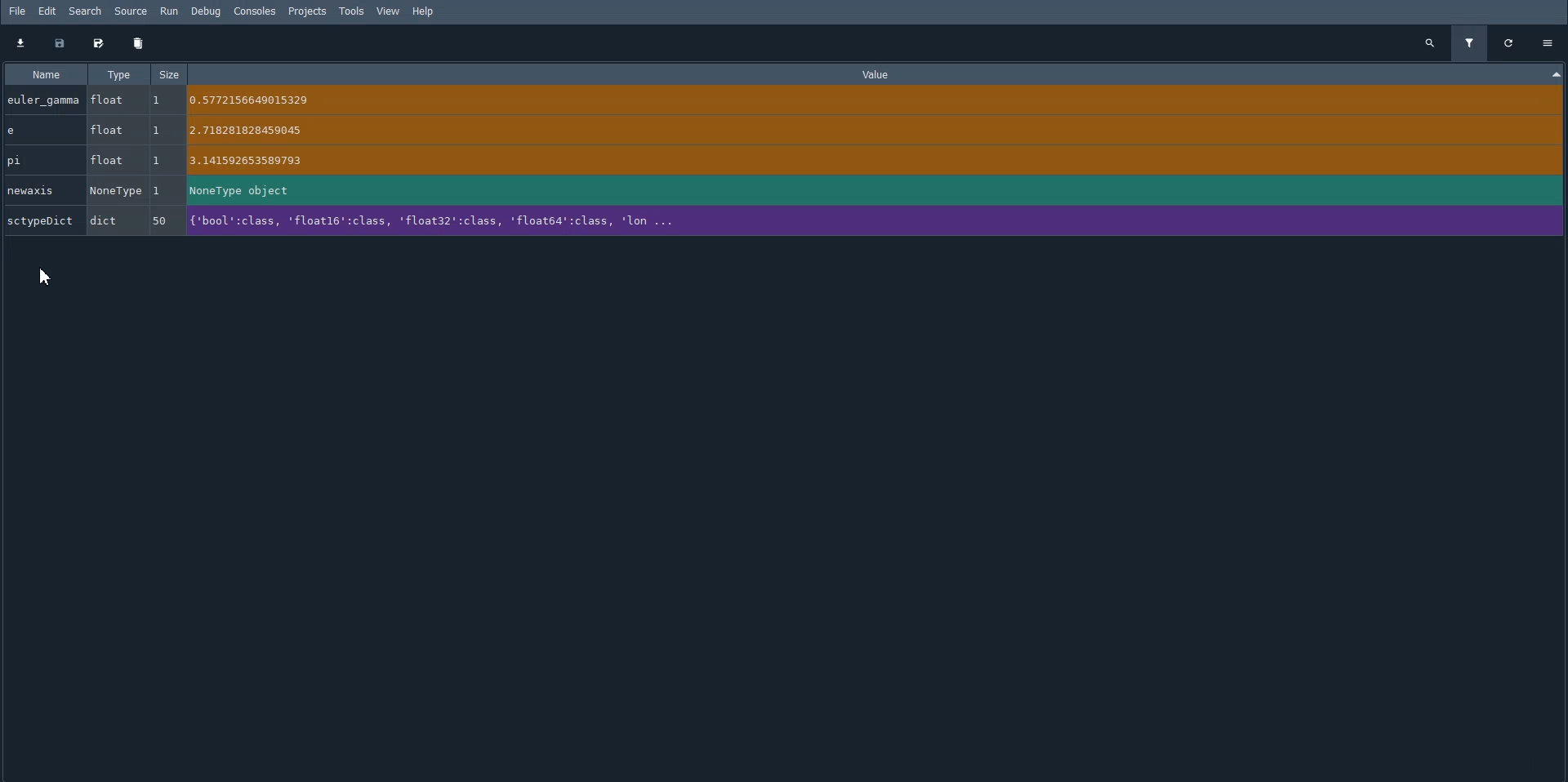 The image size is (1568, 782). Describe the element at coordinates (352, 11) in the screenshot. I see `Tools` at that location.